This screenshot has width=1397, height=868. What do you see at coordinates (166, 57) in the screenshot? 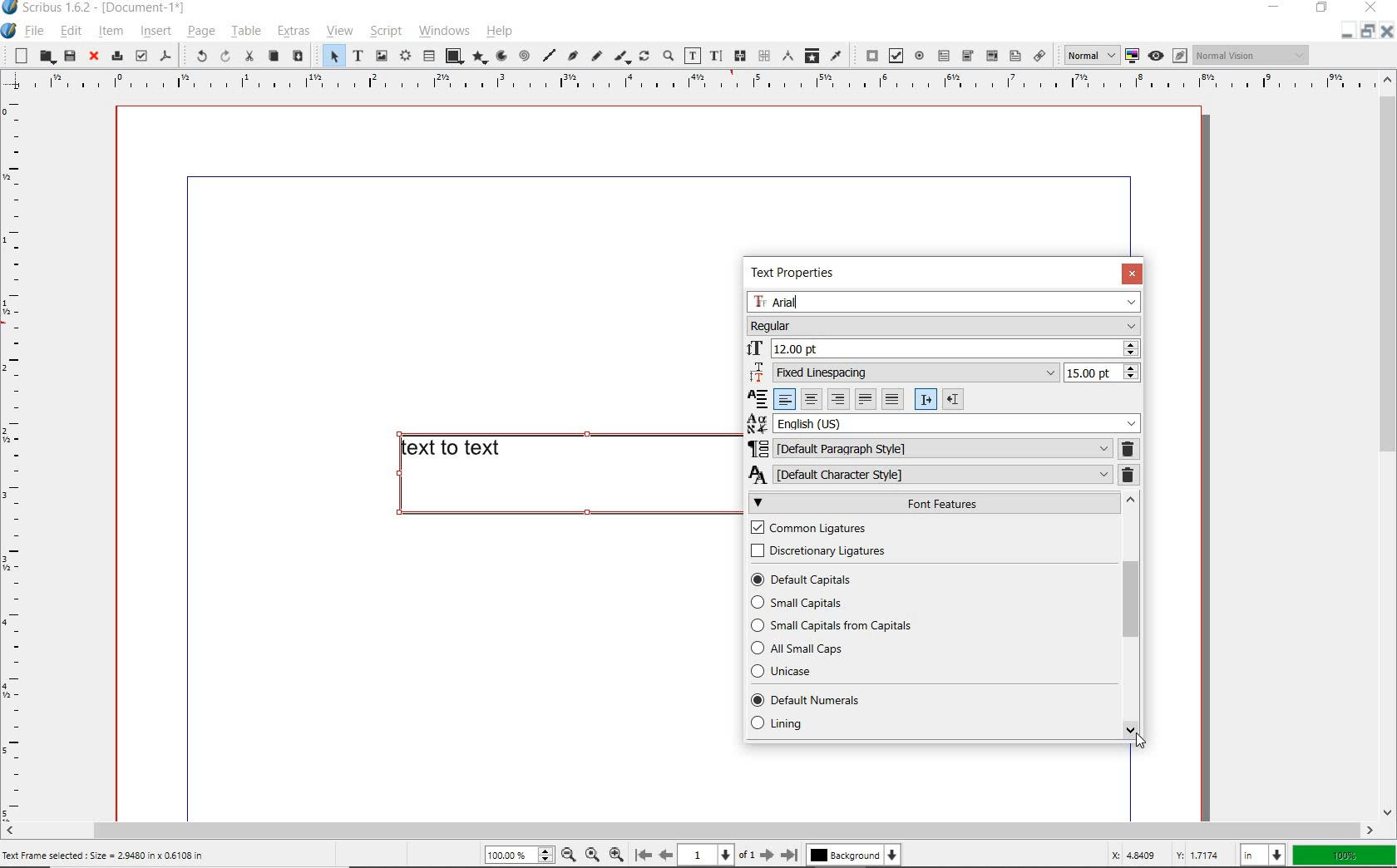
I see `save as pdf` at bounding box center [166, 57].